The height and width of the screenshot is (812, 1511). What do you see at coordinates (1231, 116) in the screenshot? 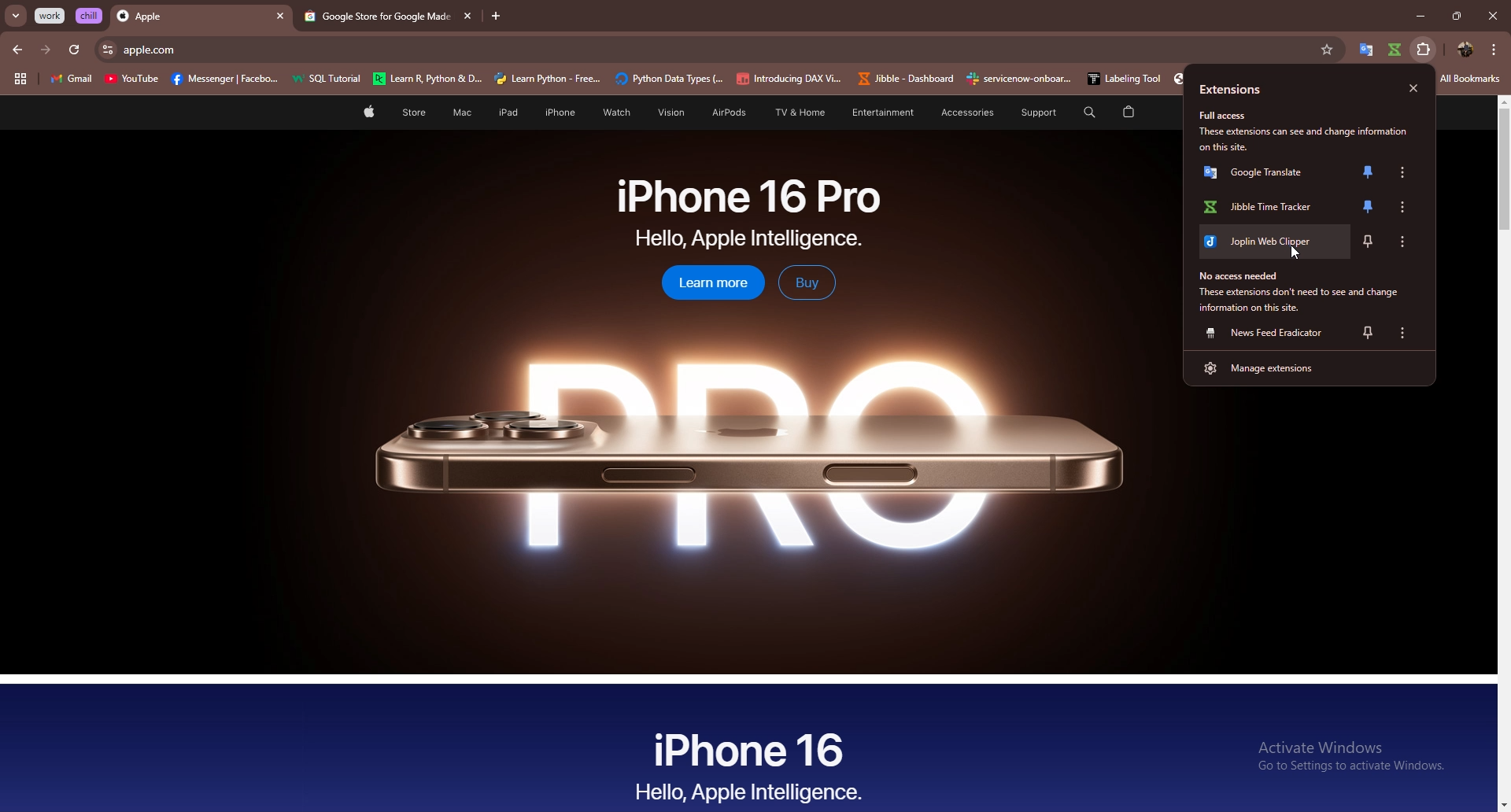
I see `full access` at bounding box center [1231, 116].